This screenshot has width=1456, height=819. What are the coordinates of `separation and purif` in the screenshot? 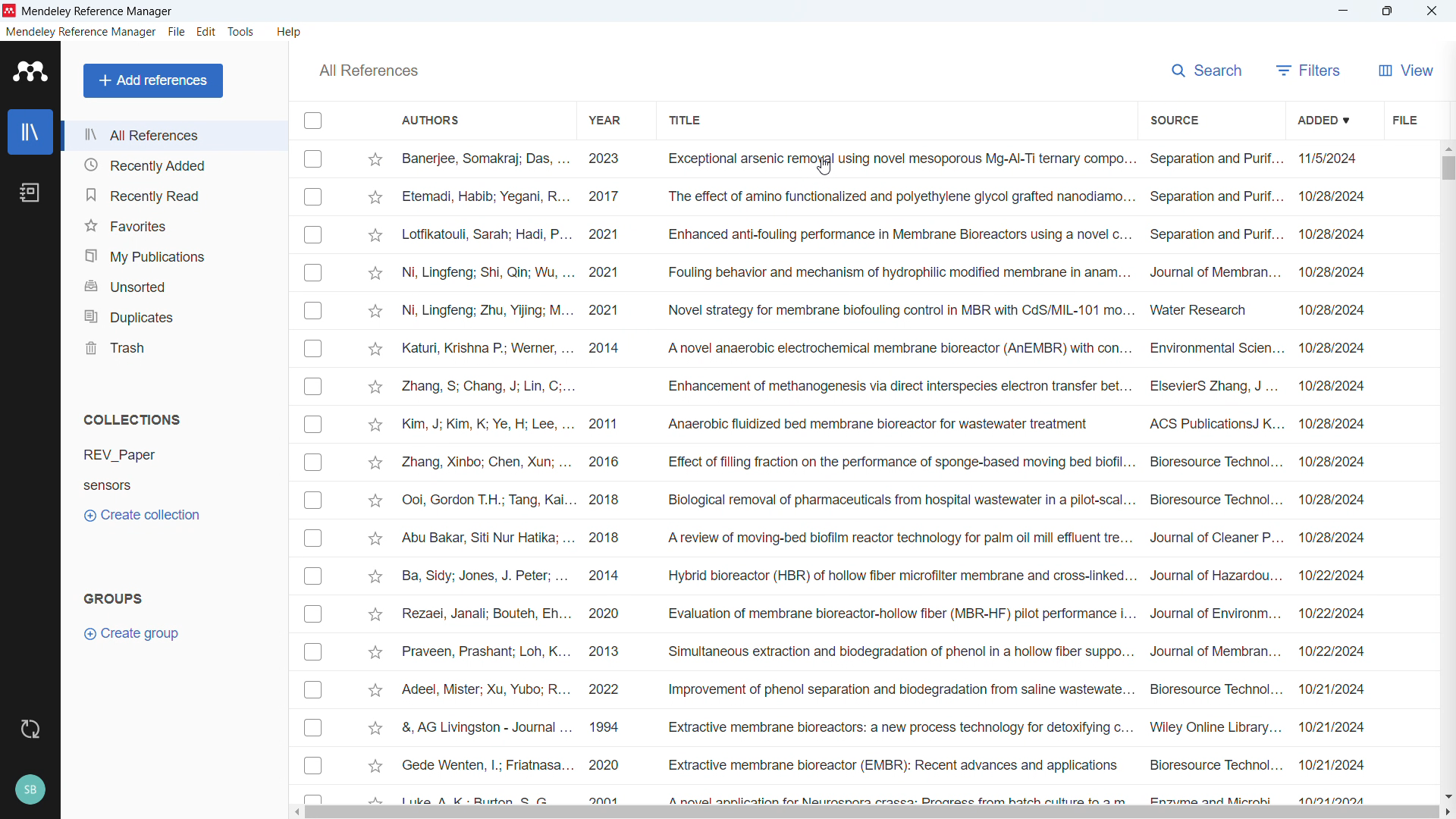 It's located at (1213, 157).